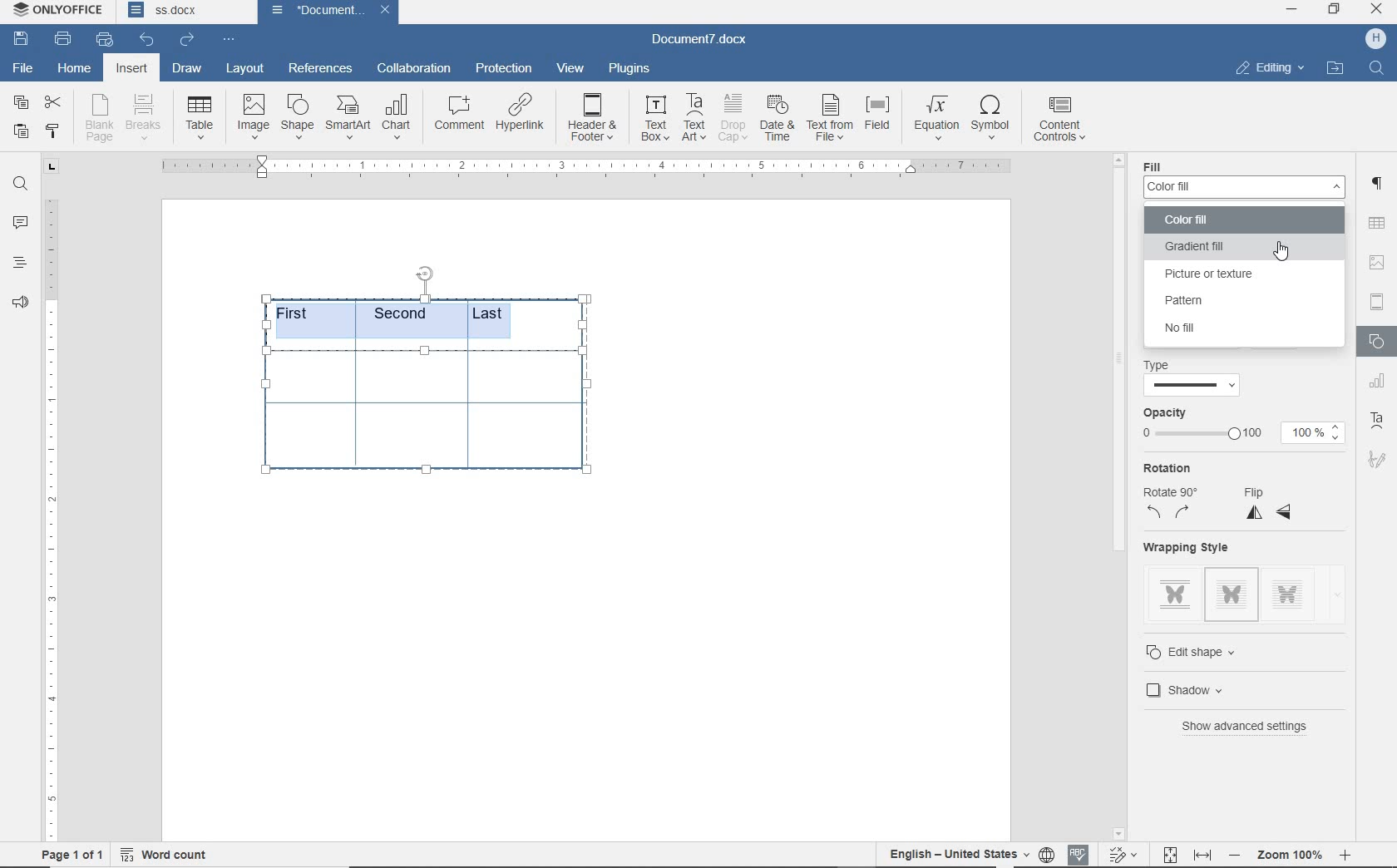 This screenshot has width=1397, height=868. I want to click on fit to width, so click(1202, 852).